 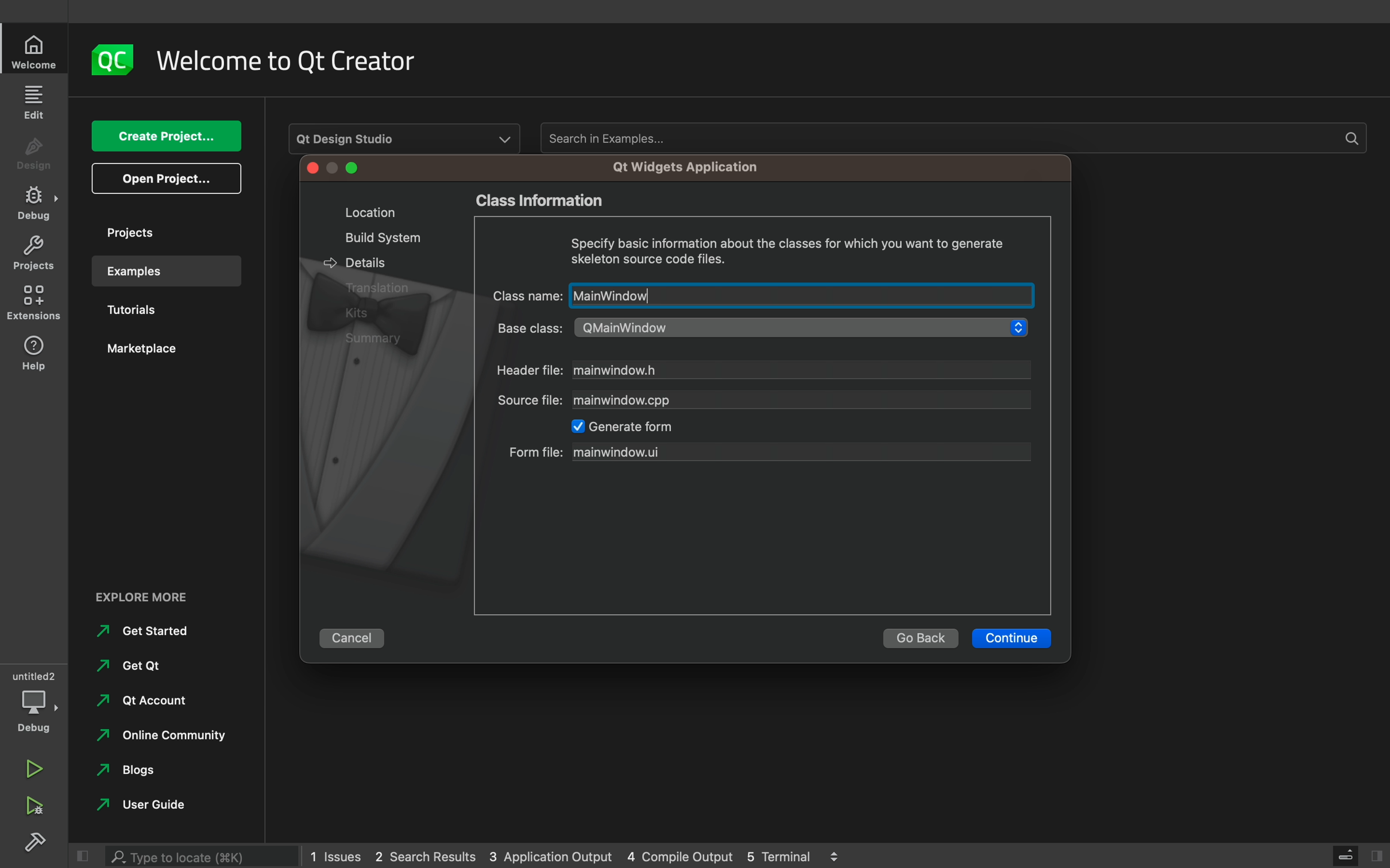 I want to click on header file: mainwindow.h, so click(x=763, y=371).